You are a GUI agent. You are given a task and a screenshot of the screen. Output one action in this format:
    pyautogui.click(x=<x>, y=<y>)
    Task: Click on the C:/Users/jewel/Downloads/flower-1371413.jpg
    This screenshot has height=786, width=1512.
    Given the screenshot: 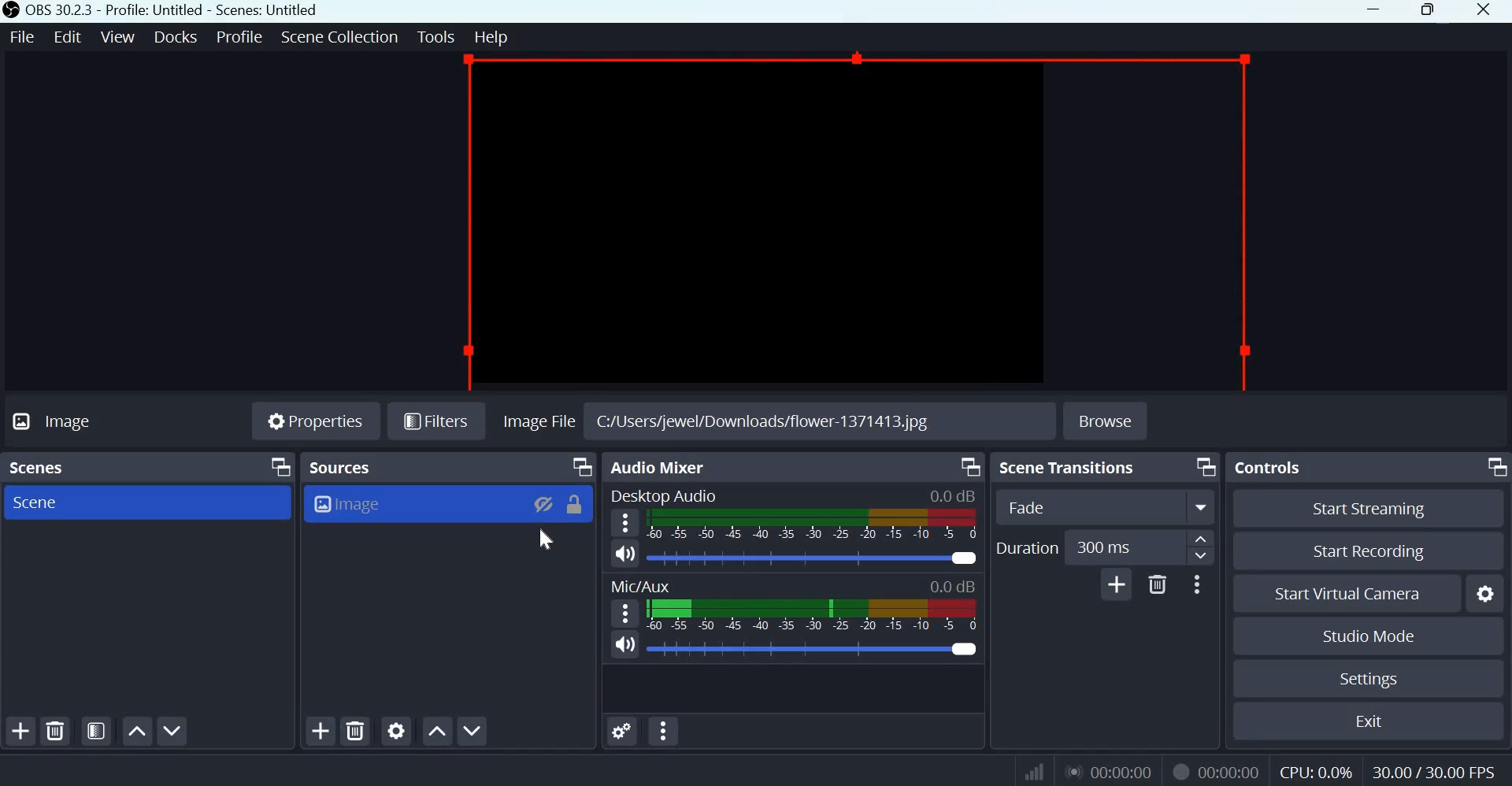 What is the action you would take?
    pyautogui.click(x=807, y=420)
    